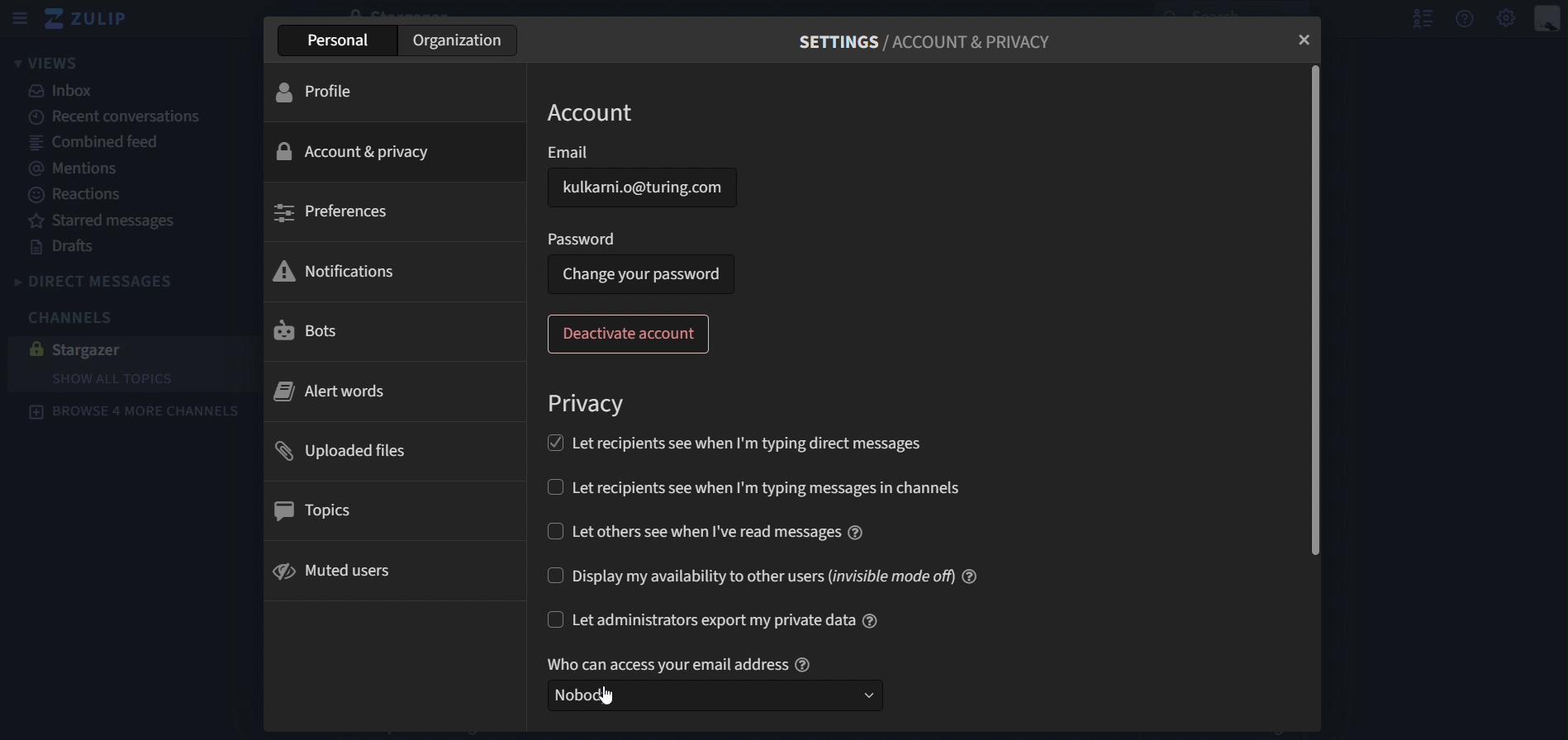 This screenshot has height=740, width=1568. Describe the element at coordinates (120, 116) in the screenshot. I see `recent canversations` at that location.